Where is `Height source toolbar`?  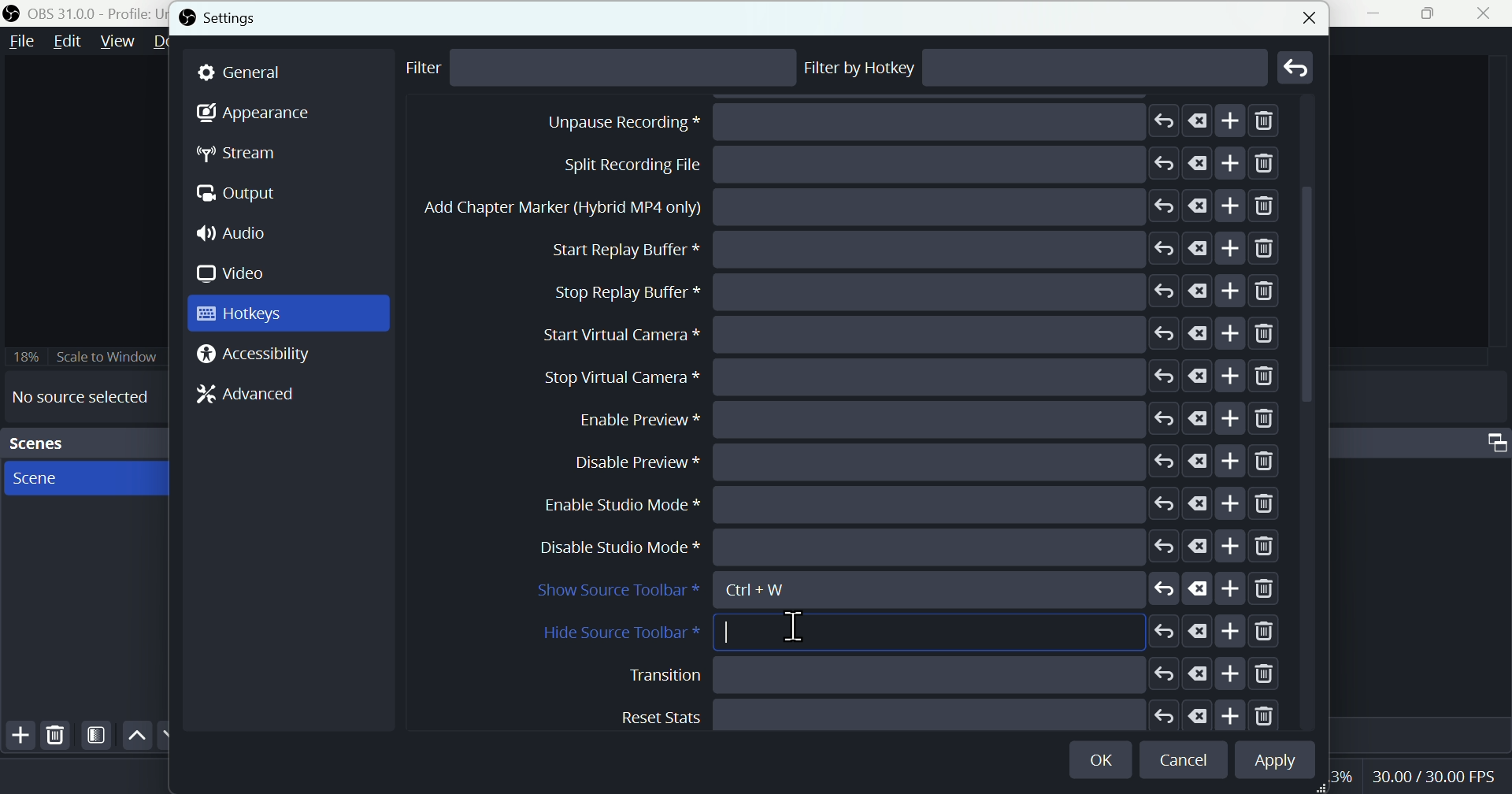 Height source toolbar is located at coordinates (911, 633).